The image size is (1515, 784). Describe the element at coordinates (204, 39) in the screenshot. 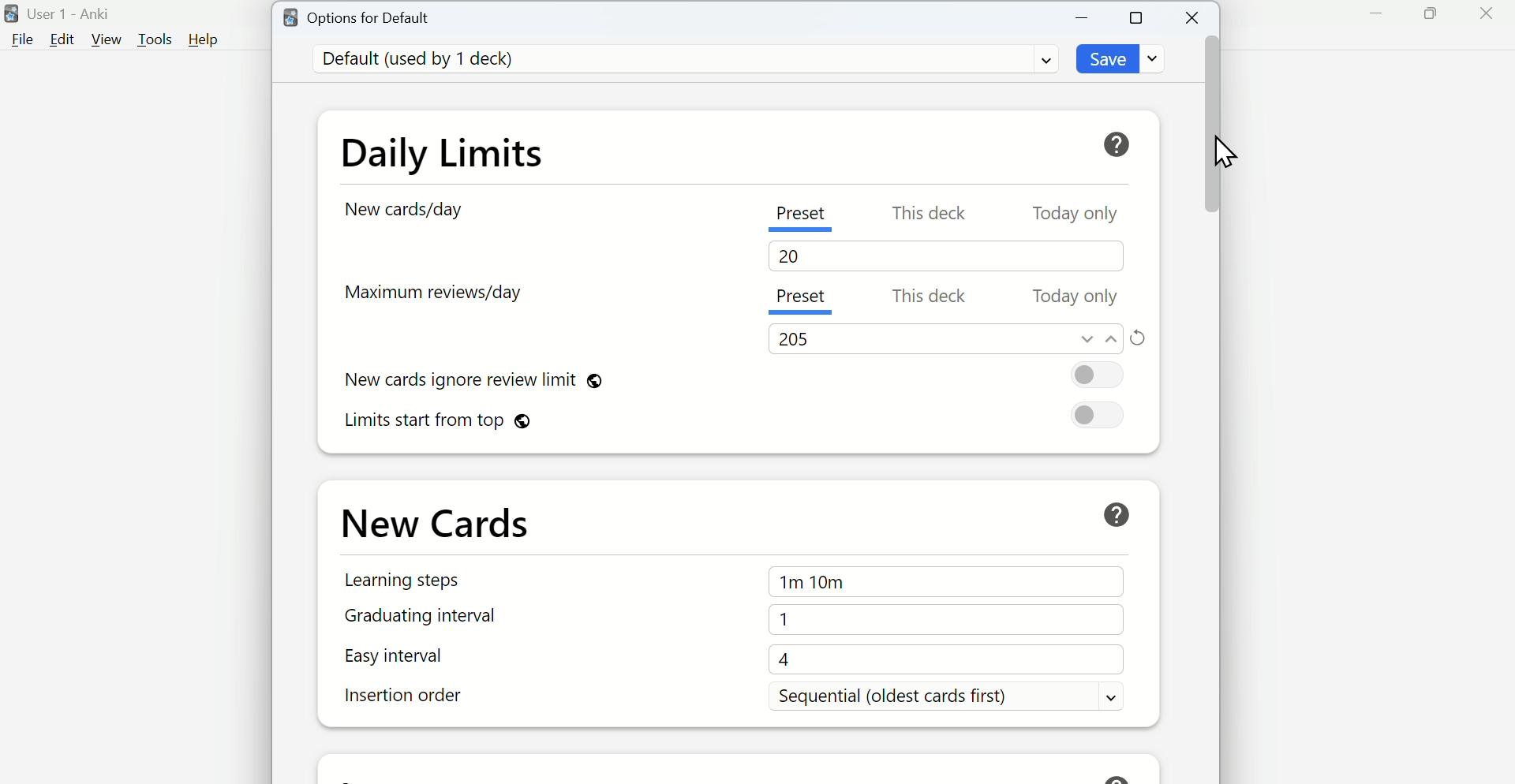

I see `Help` at that location.